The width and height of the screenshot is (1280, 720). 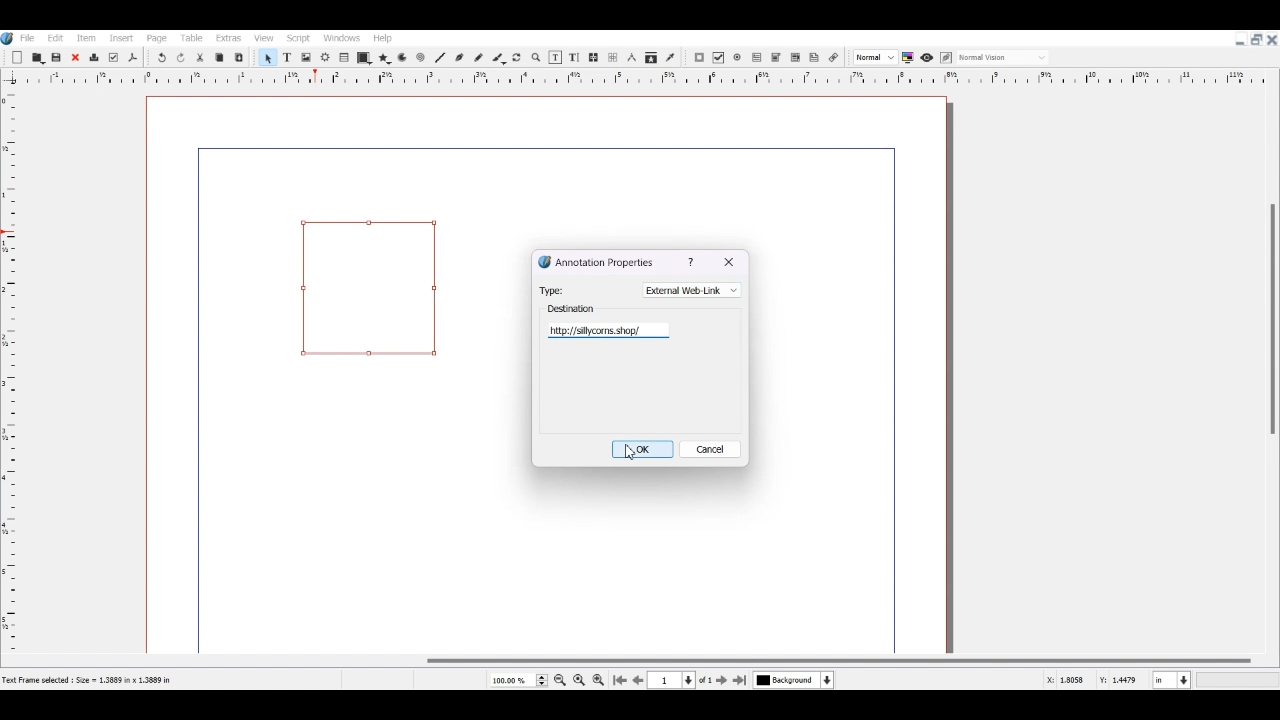 What do you see at coordinates (8, 38) in the screenshot?
I see `Logo` at bounding box center [8, 38].